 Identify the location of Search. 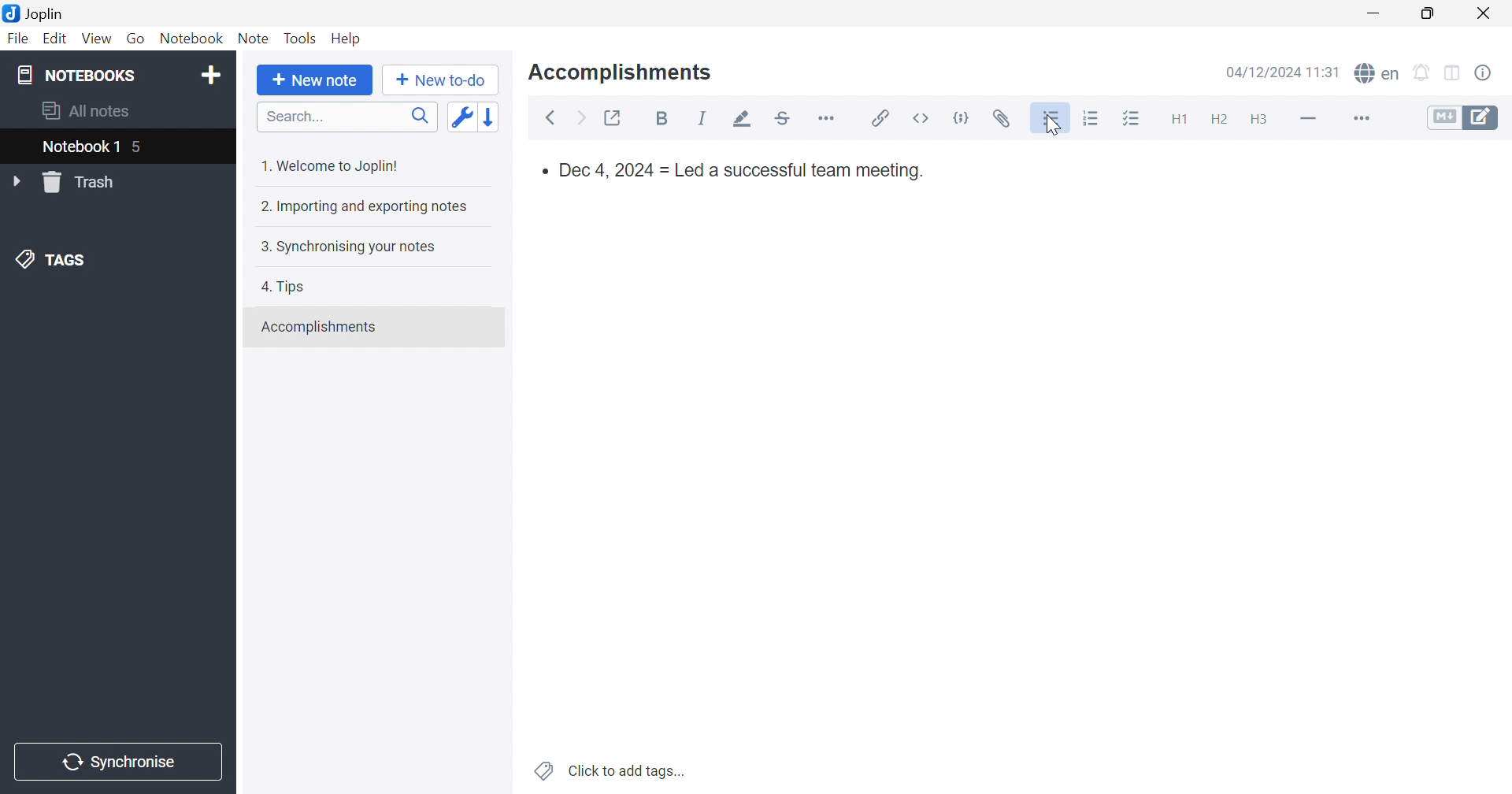
(347, 117).